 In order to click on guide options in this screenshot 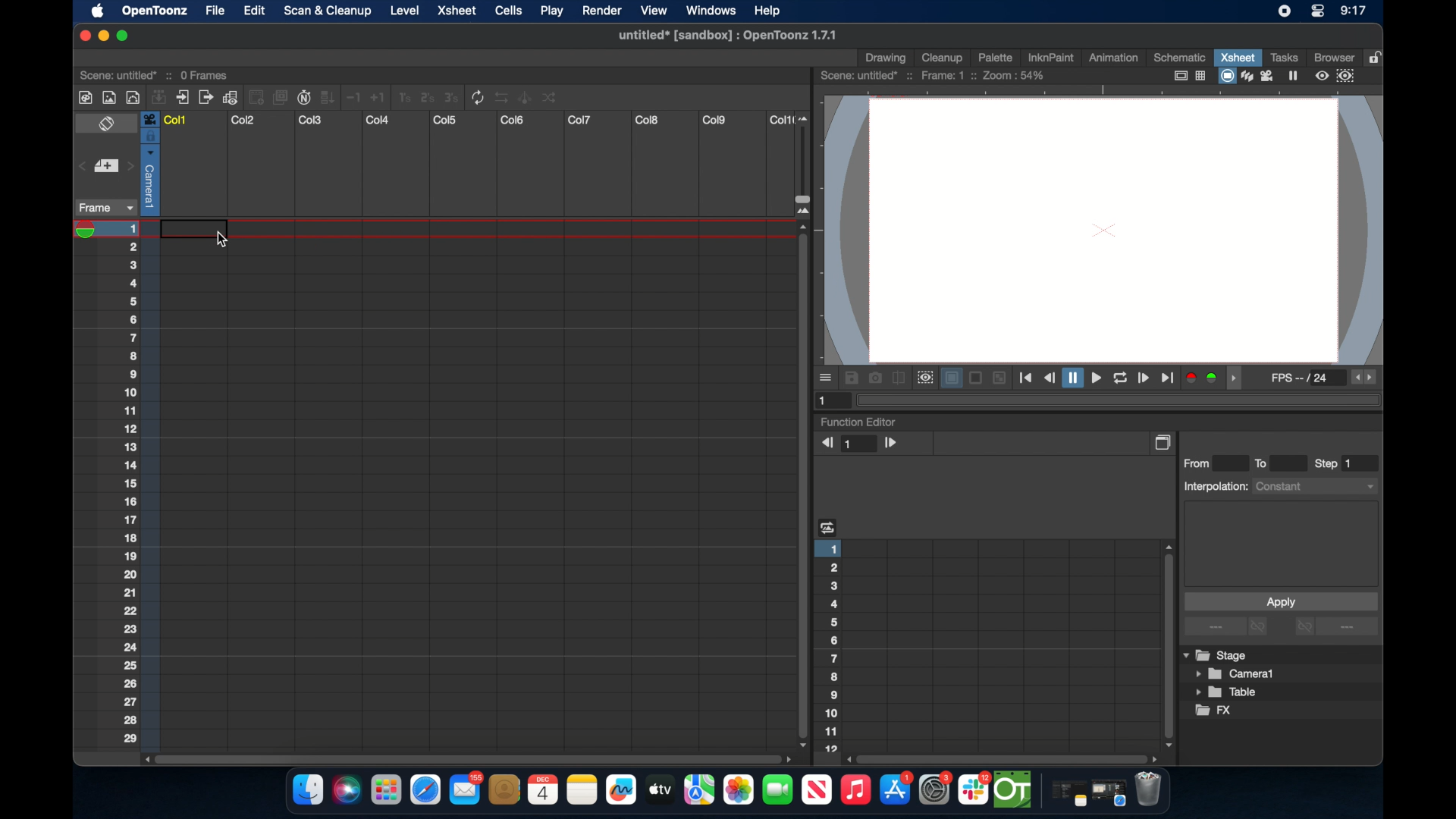, I will do `click(1188, 76)`.